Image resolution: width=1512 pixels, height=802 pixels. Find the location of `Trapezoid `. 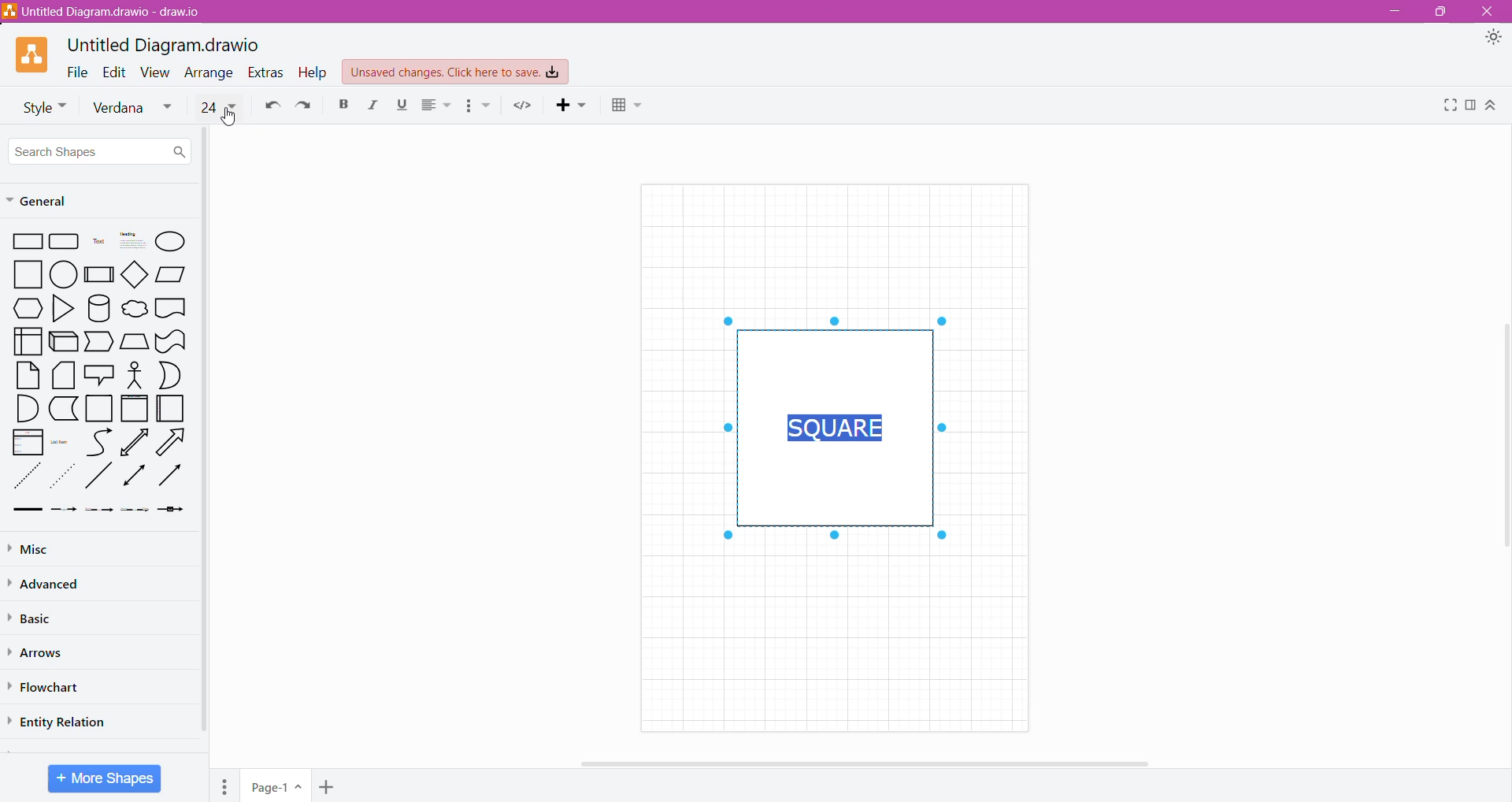

Trapezoid  is located at coordinates (100, 342).